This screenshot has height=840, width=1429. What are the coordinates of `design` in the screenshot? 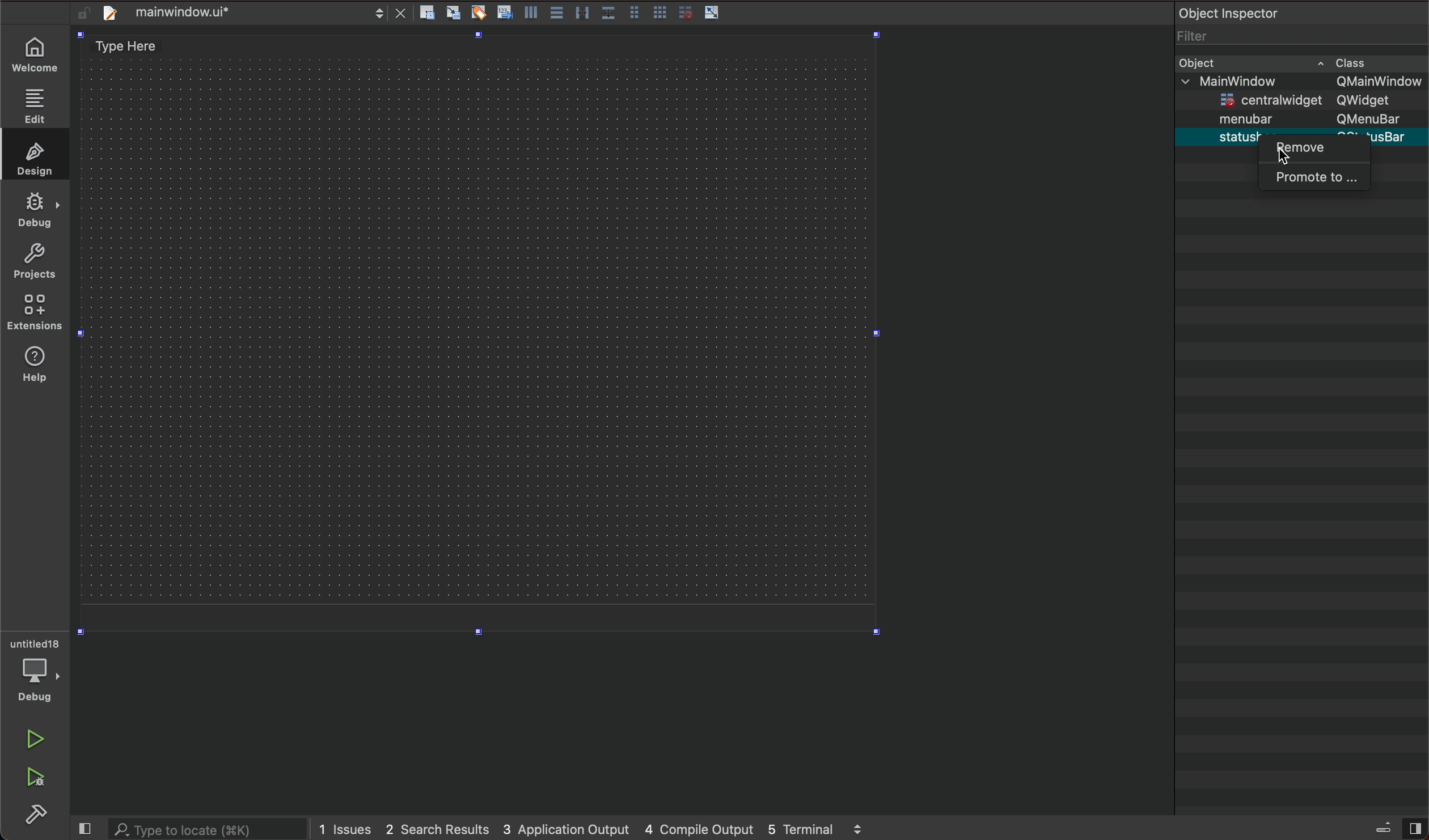 It's located at (33, 162).